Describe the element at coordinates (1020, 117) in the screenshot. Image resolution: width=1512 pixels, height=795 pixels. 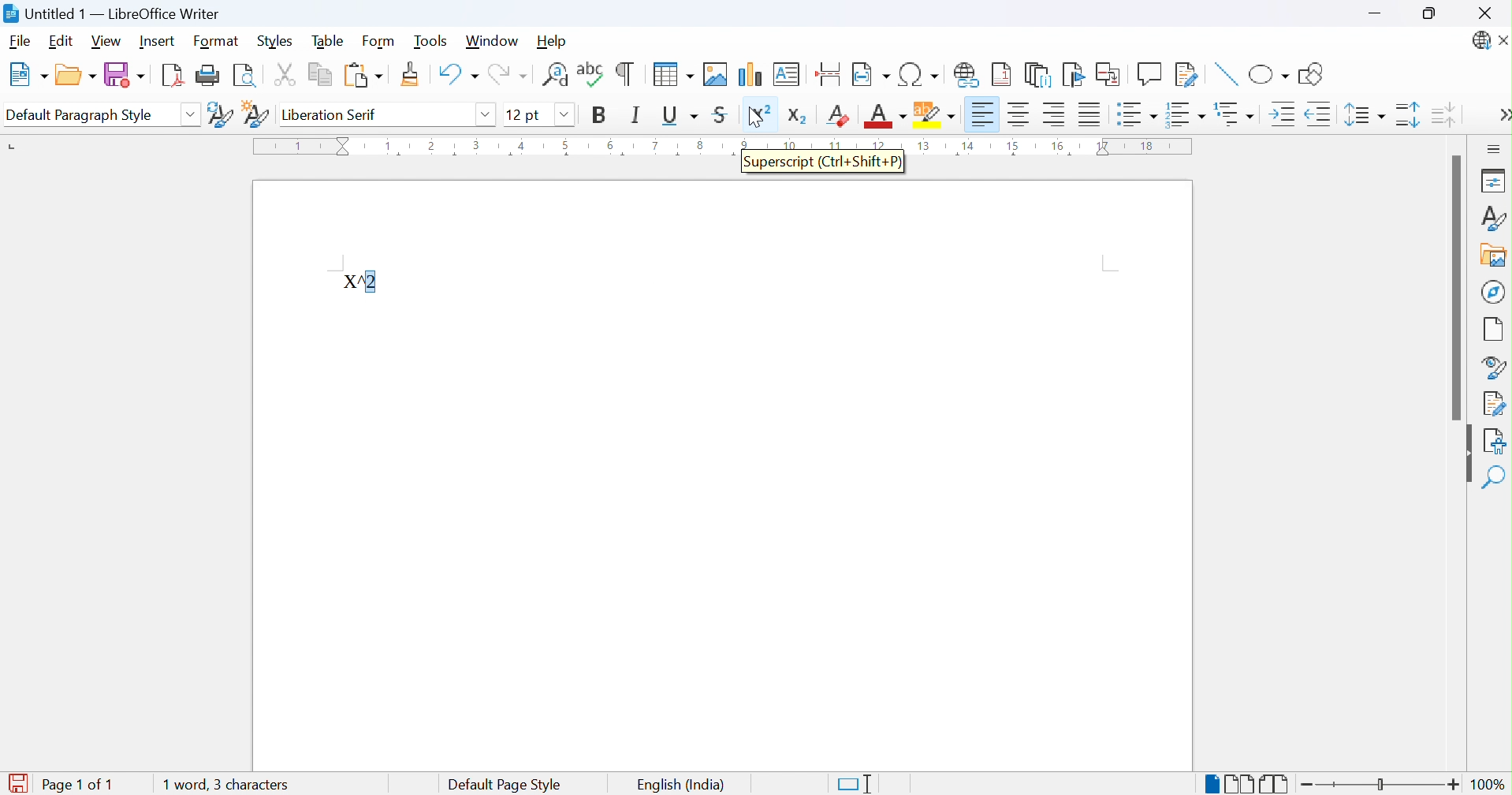
I see `Align center` at that location.